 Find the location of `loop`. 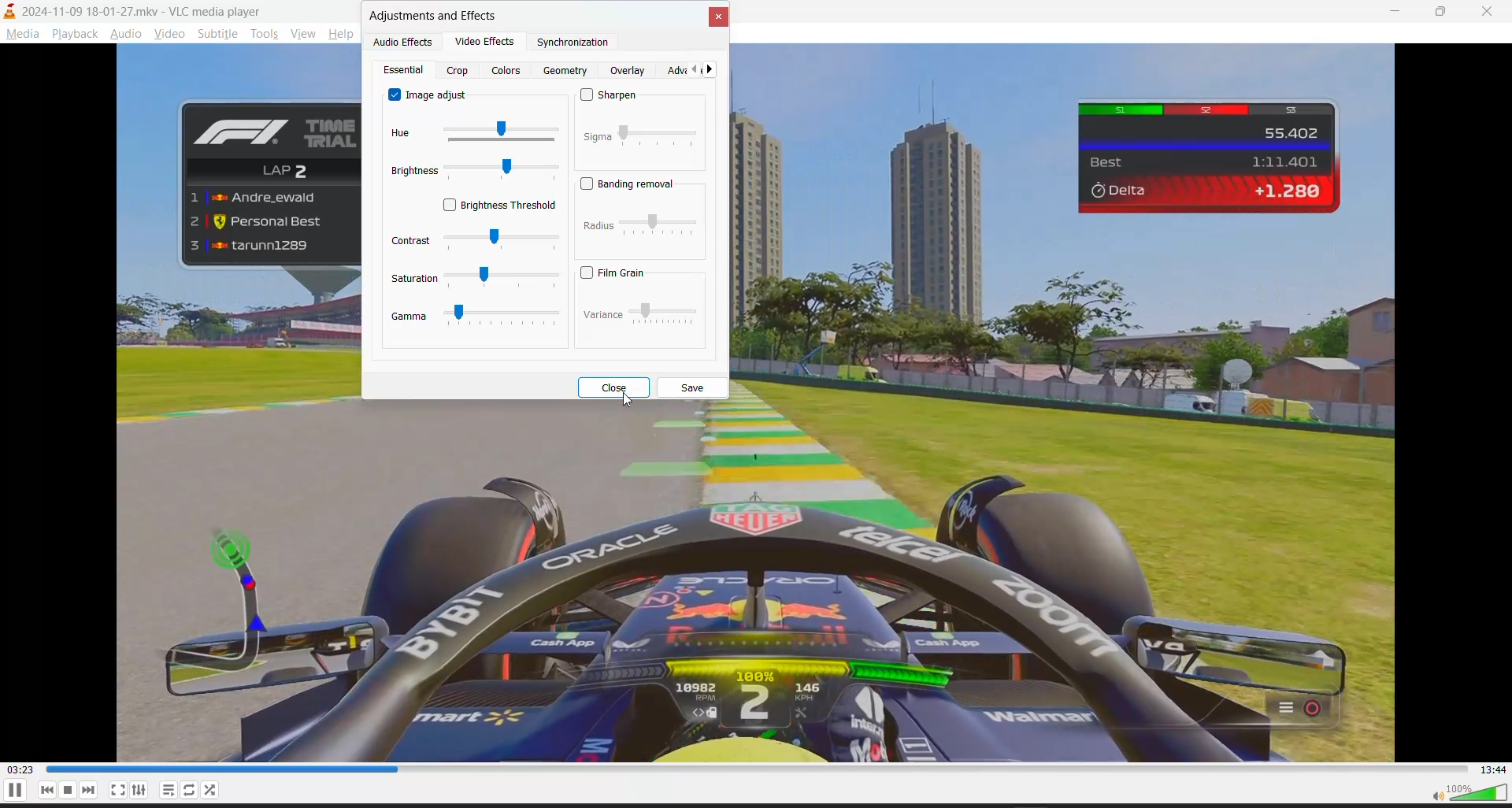

loop is located at coordinates (210, 791).